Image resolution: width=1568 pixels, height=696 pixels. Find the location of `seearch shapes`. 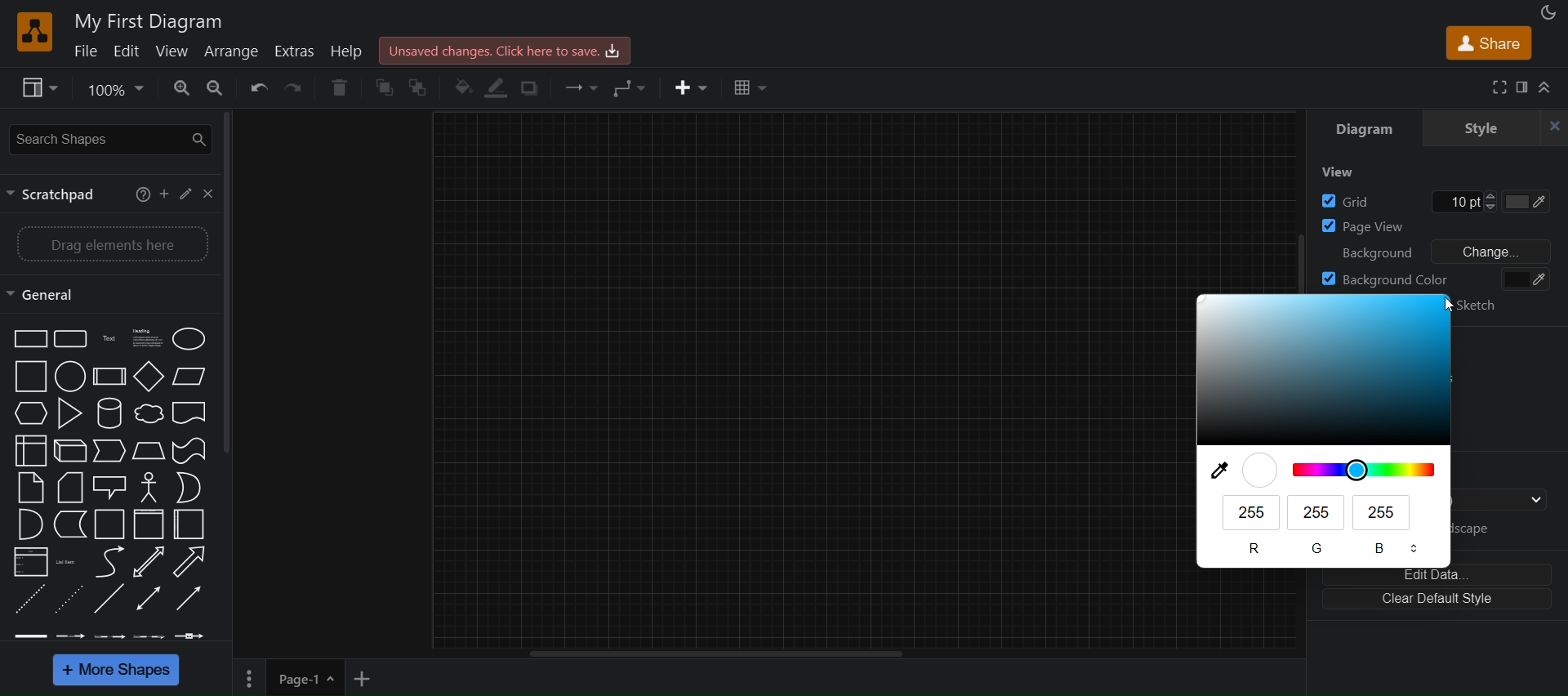

seearch shapes is located at coordinates (107, 138).